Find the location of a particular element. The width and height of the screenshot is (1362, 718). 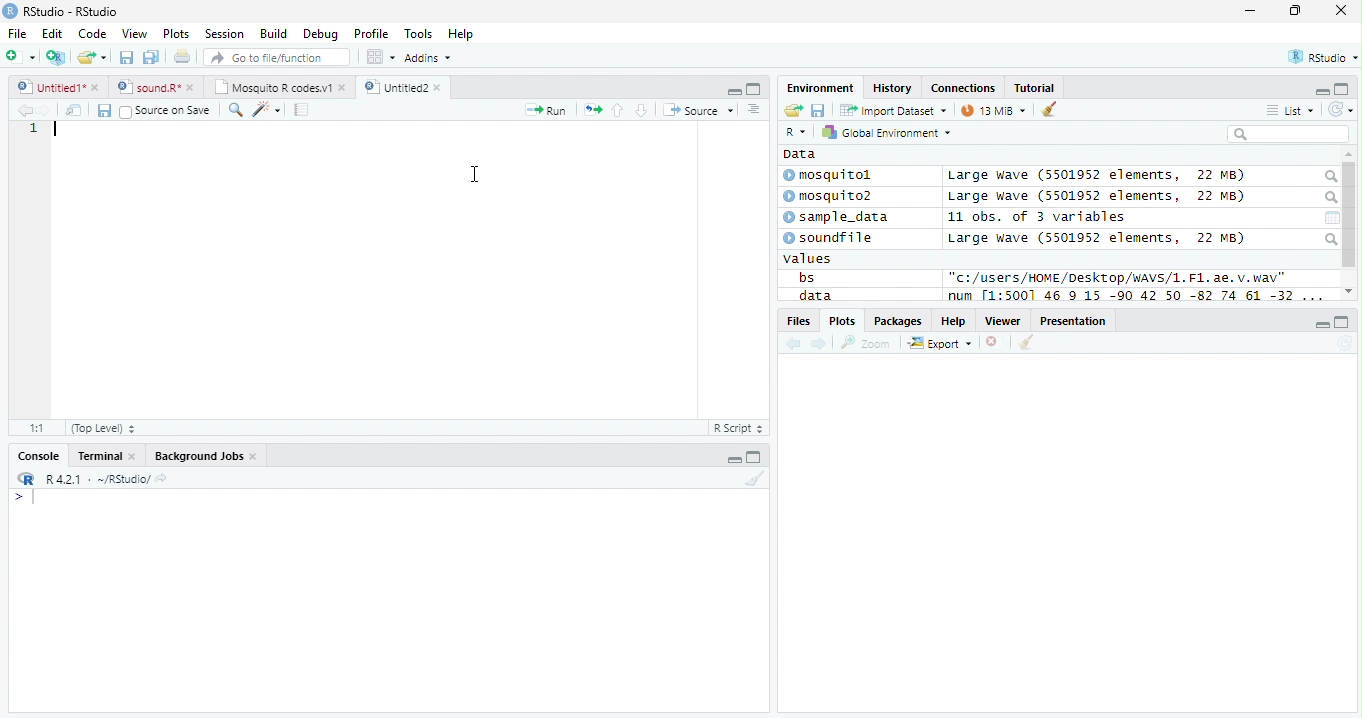

Untitied1* is located at coordinates (58, 87).